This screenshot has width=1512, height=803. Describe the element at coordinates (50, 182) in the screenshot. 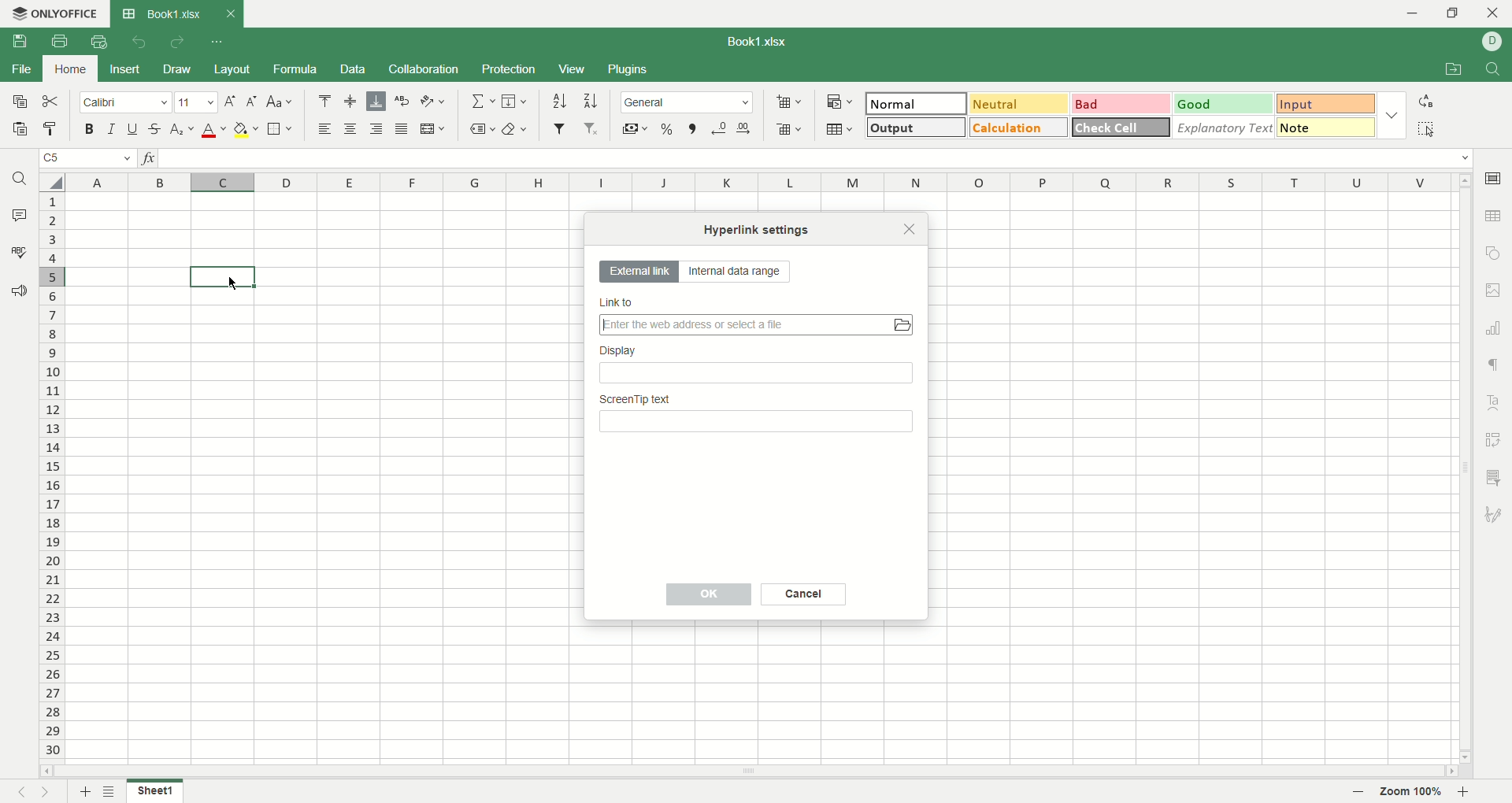

I see `select all` at that location.